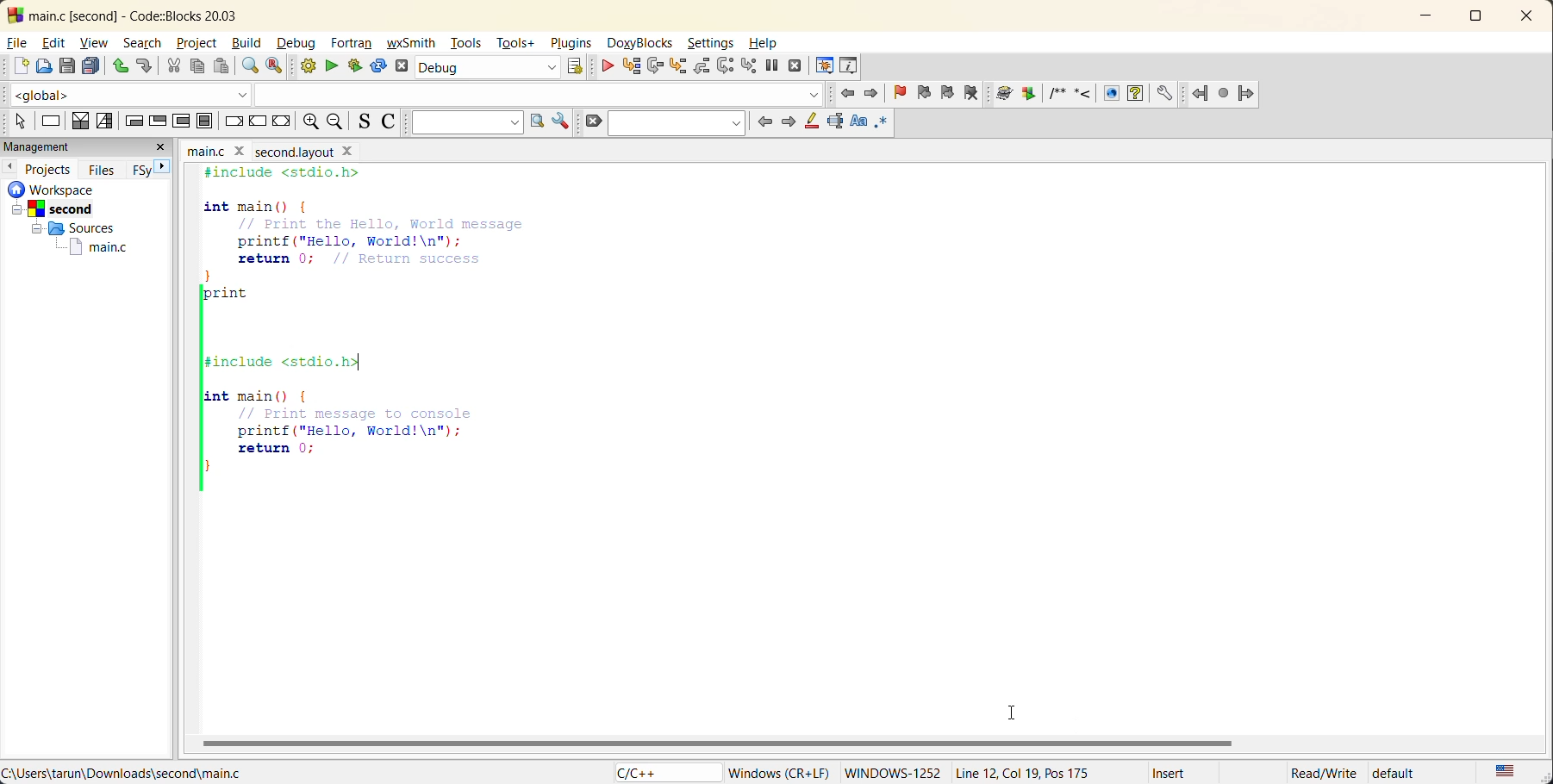 The width and height of the screenshot is (1553, 784). Describe the element at coordinates (53, 44) in the screenshot. I see `edit` at that location.